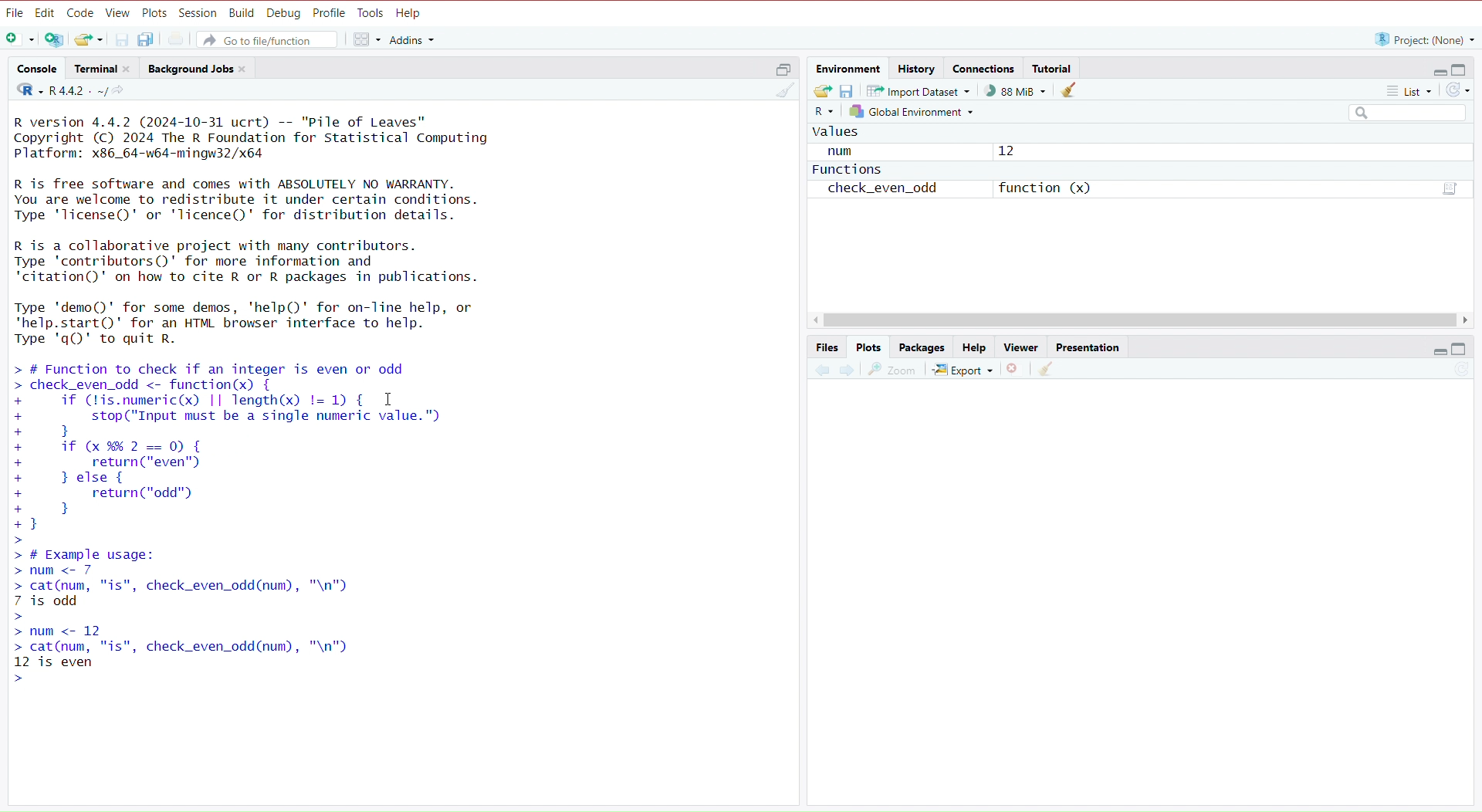 The width and height of the screenshot is (1482, 812). What do you see at coordinates (1143, 165) in the screenshot?
I see `Environment is empty` at bounding box center [1143, 165].